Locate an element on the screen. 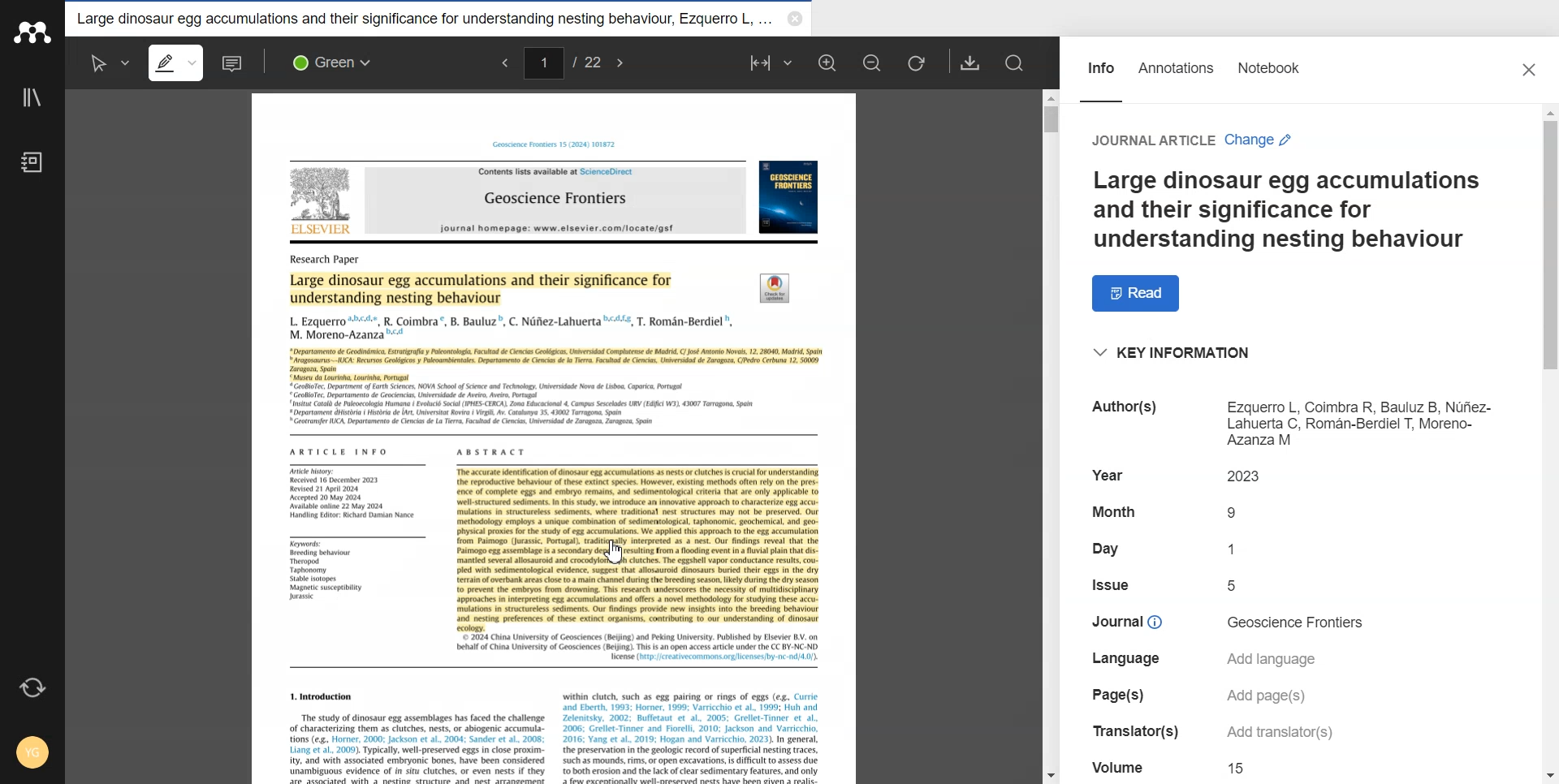  text is located at coordinates (1267, 697).